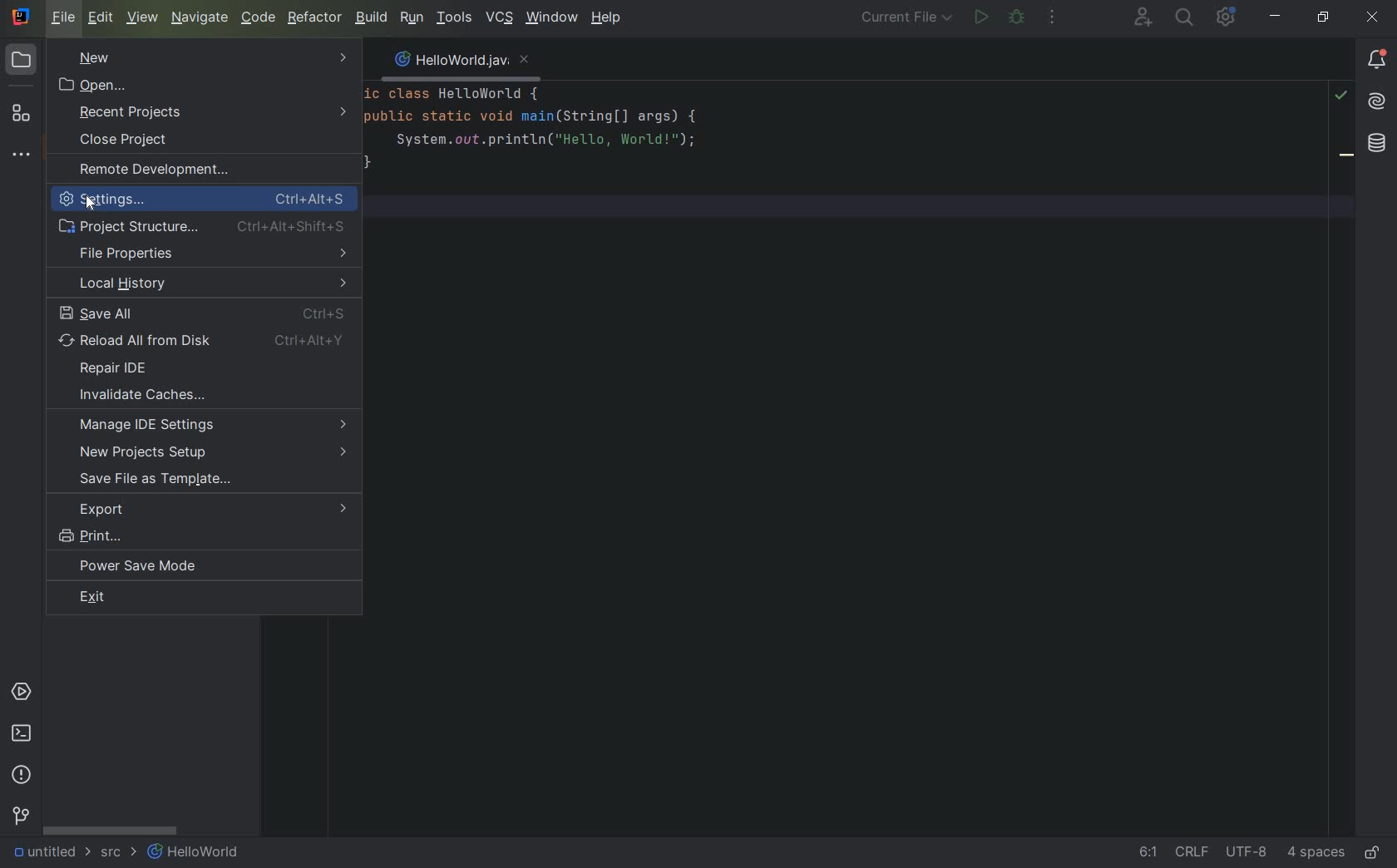 The height and width of the screenshot is (868, 1397). What do you see at coordinates (258, 18) in the screenshot?
I see `CODE` at bounding box center [258, 18].